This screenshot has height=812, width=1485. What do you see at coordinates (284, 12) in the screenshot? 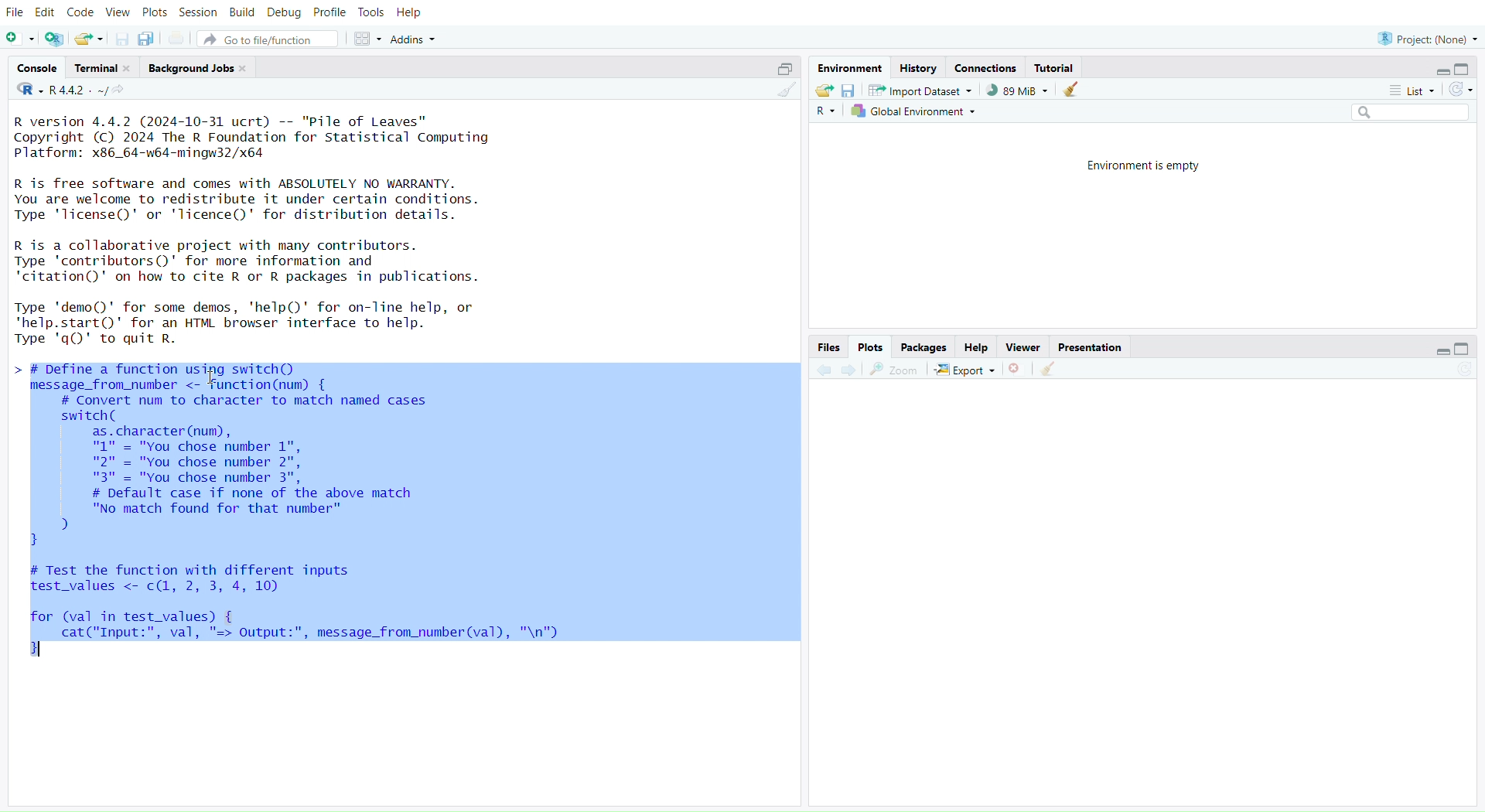
I see `Debug` at bounding box center [284, 12].